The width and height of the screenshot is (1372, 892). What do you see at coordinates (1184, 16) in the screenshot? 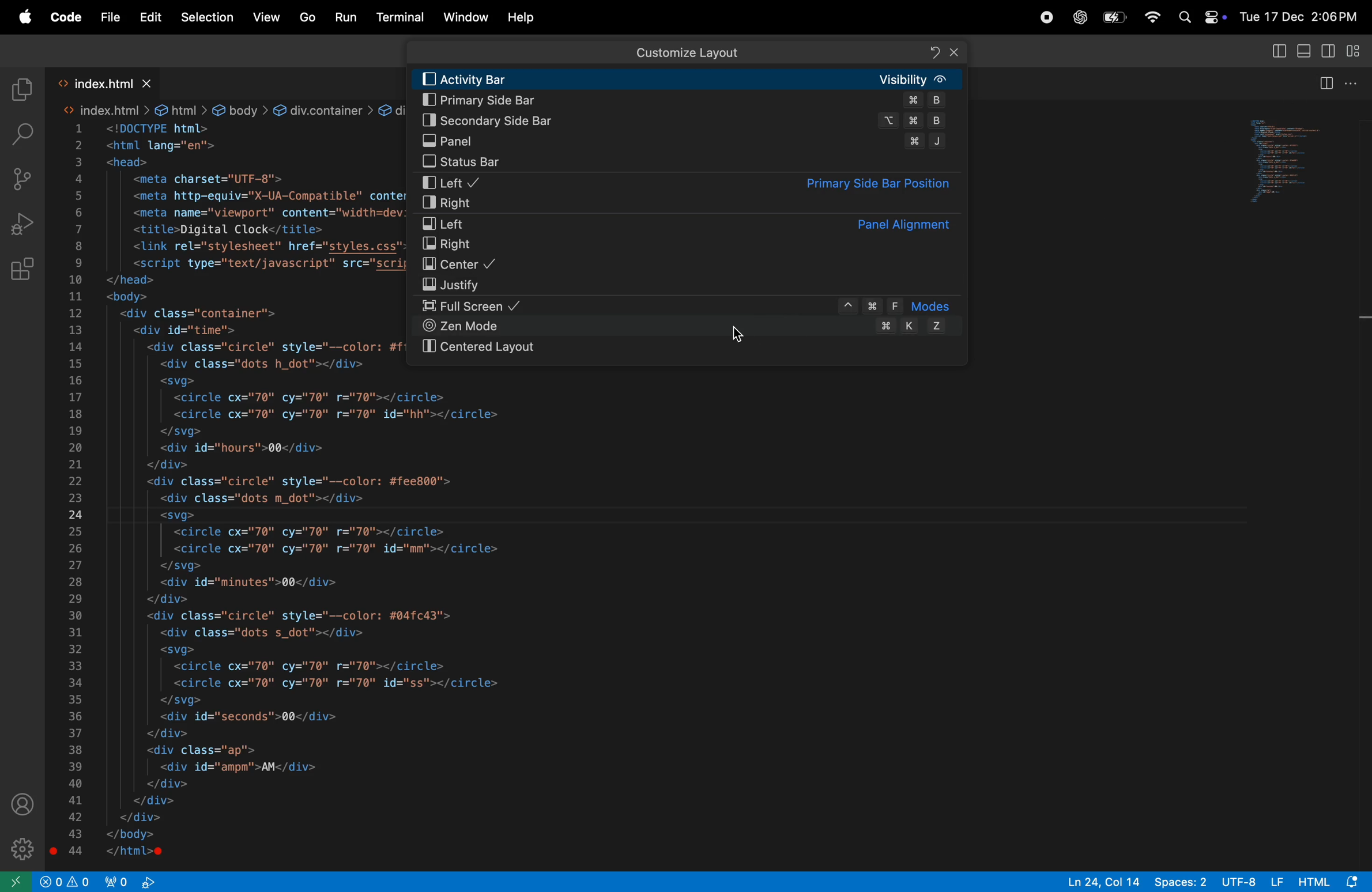
I see `Spotlight` at bounding box center [1184, 16].